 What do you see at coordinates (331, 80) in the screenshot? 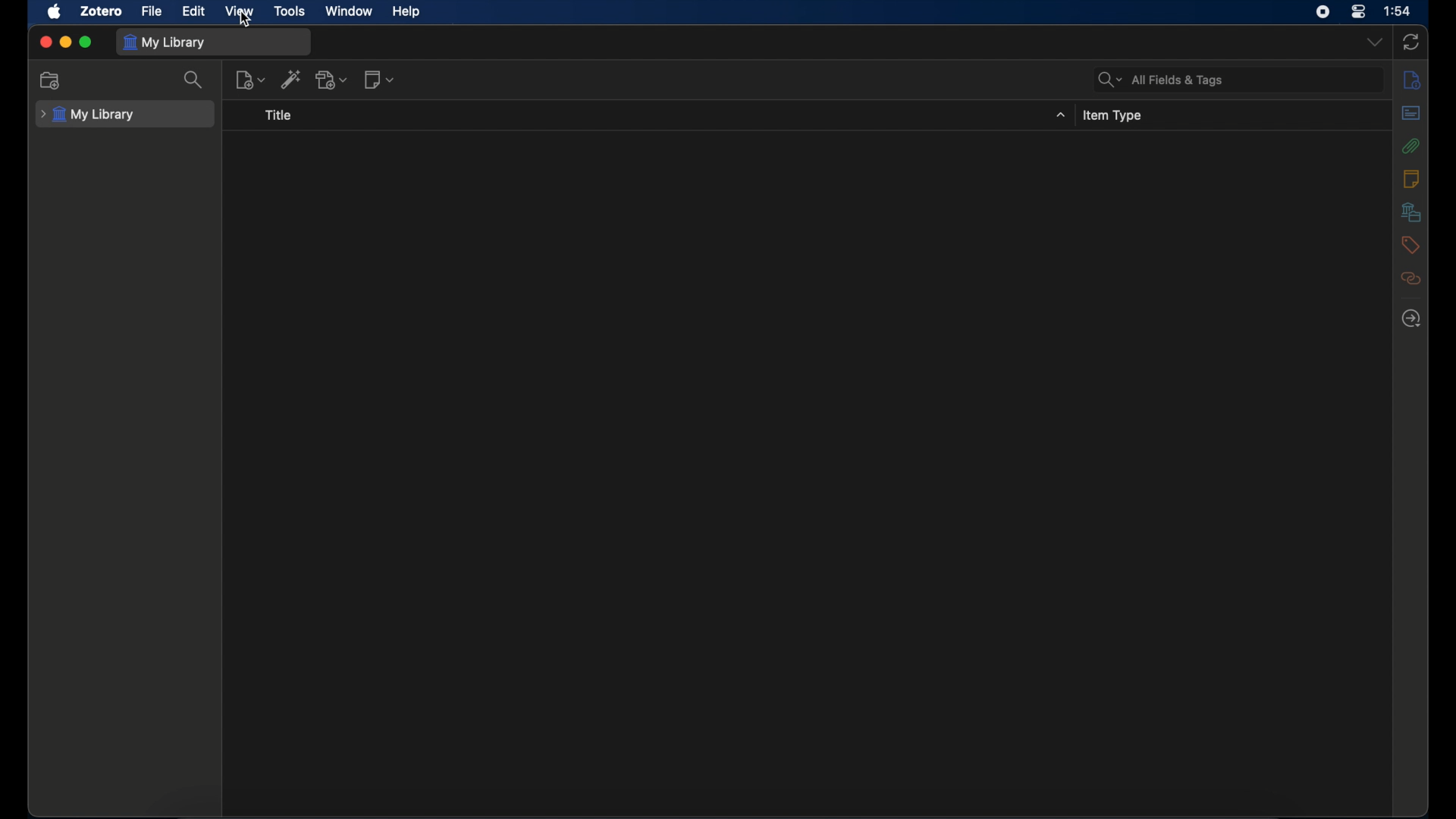
I see `add attachments` at bounding box center [331, 80].